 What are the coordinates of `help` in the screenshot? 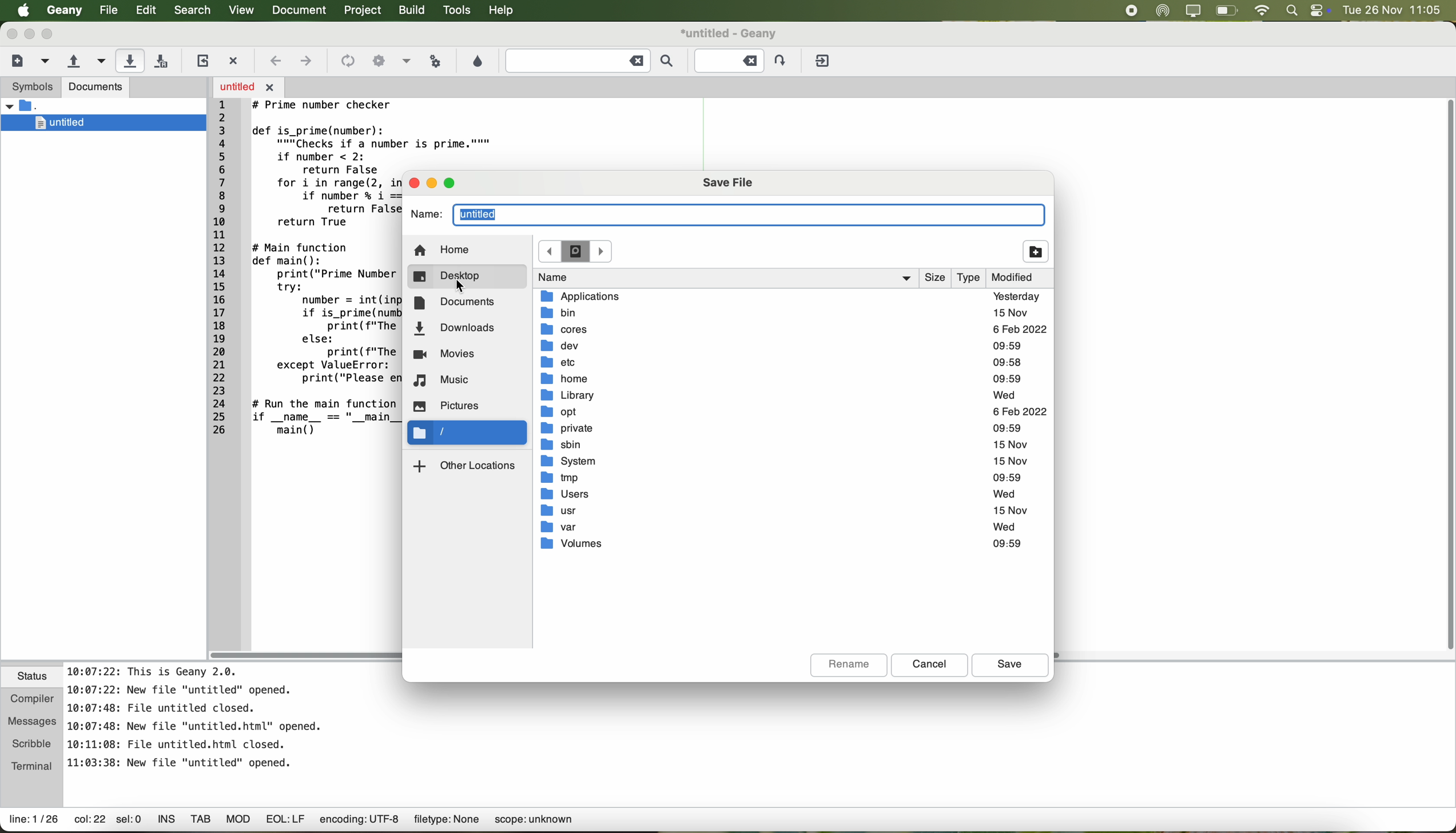 It's located at (506, 12).